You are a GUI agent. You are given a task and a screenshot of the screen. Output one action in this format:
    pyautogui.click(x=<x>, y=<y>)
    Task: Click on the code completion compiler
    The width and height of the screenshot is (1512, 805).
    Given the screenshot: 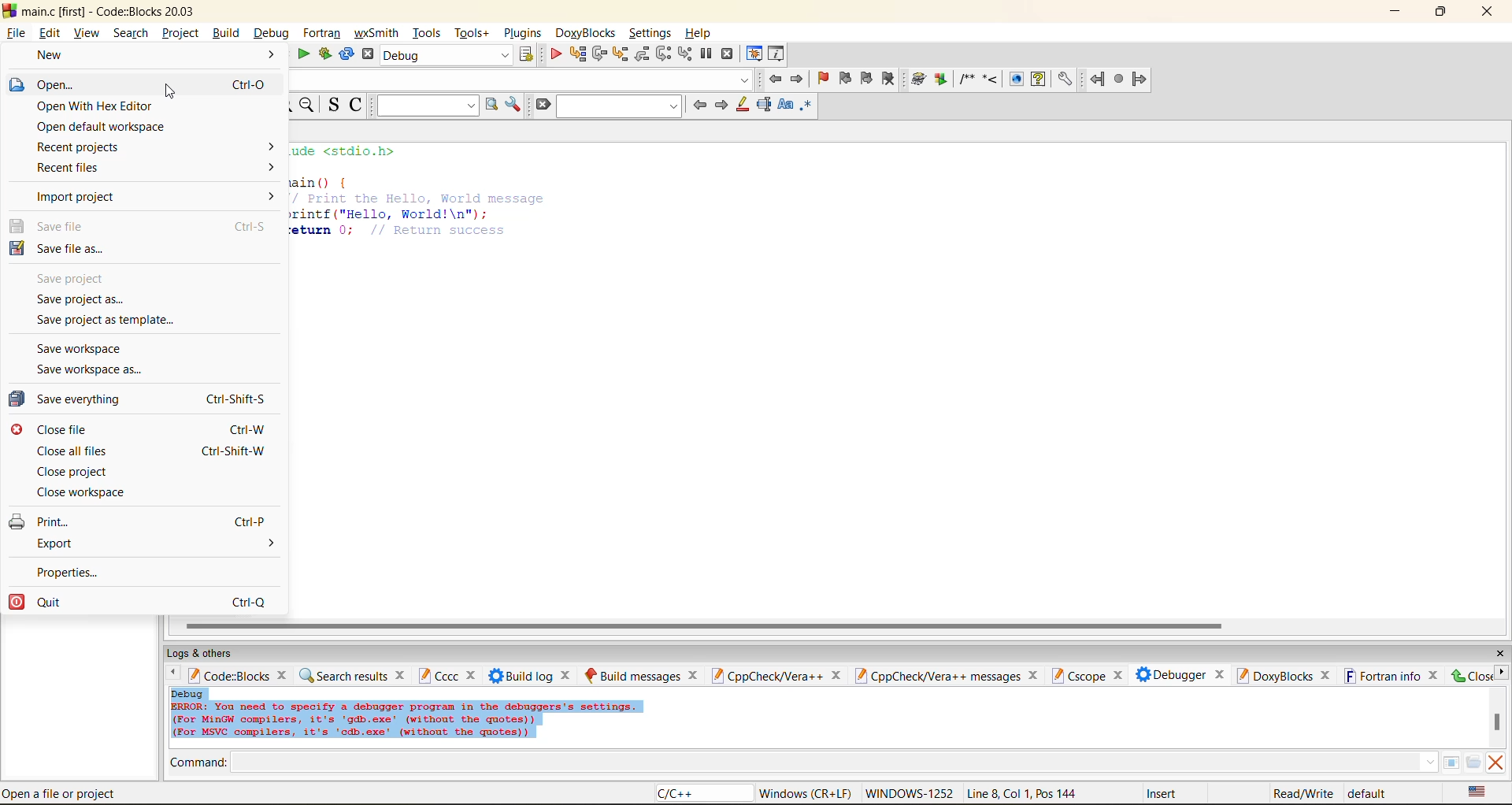 What is the action you would take?
    pyautogui.click(x=520, y=80)
    